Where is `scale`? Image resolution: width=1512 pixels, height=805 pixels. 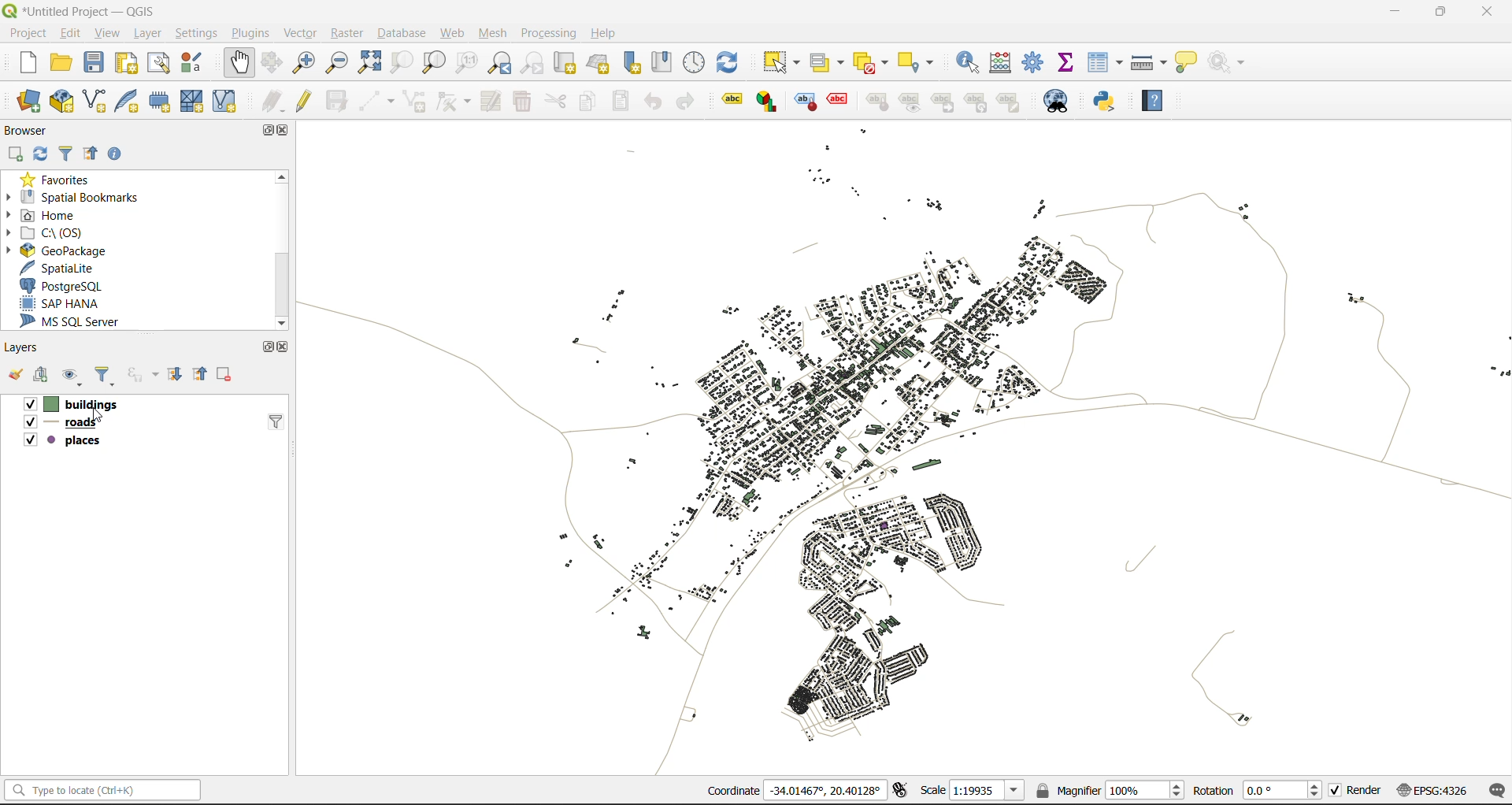
scale is located at coordinates (973, 791).